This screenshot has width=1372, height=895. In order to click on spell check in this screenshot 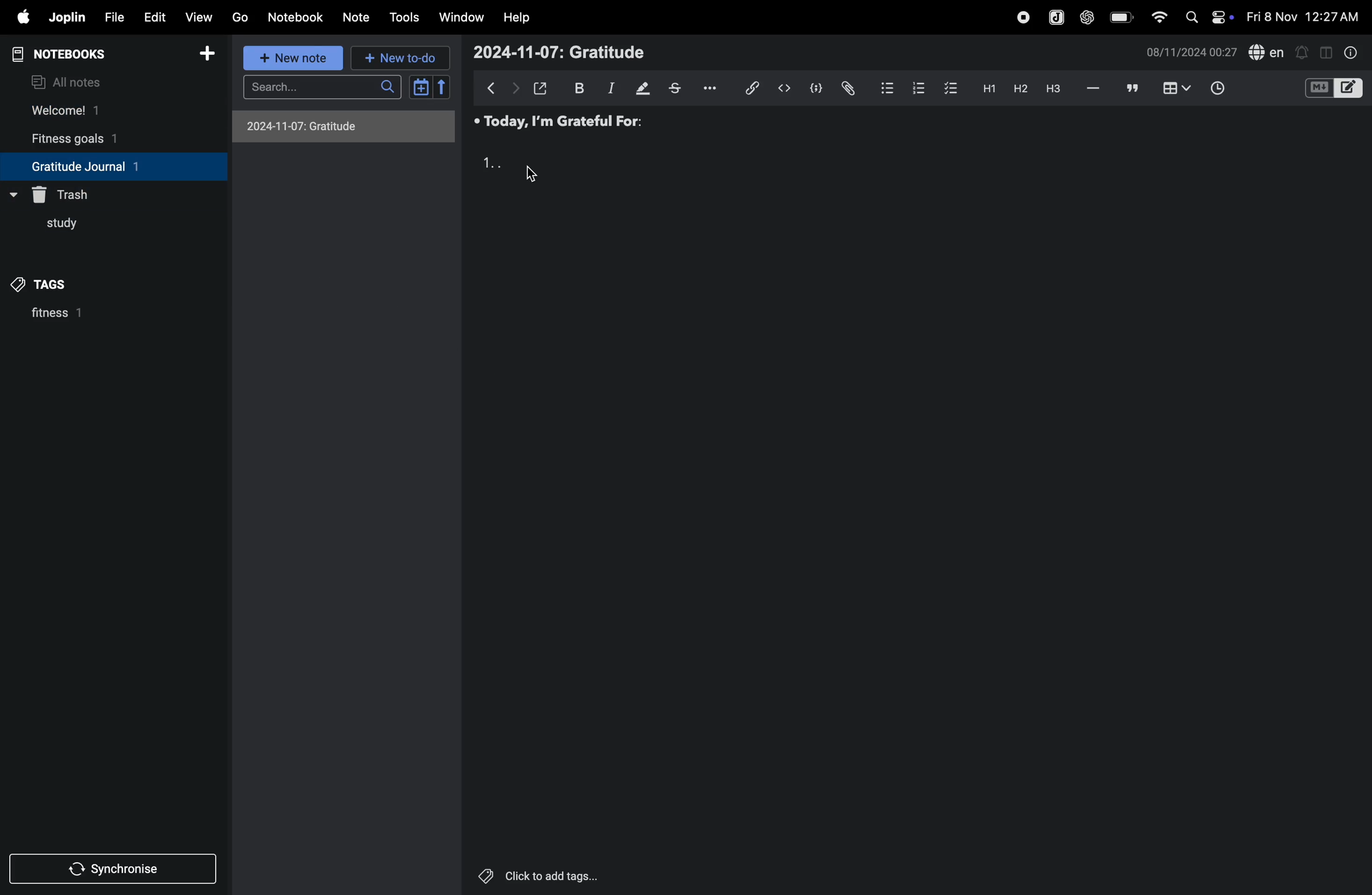, I will do `click(1268, 51)`.